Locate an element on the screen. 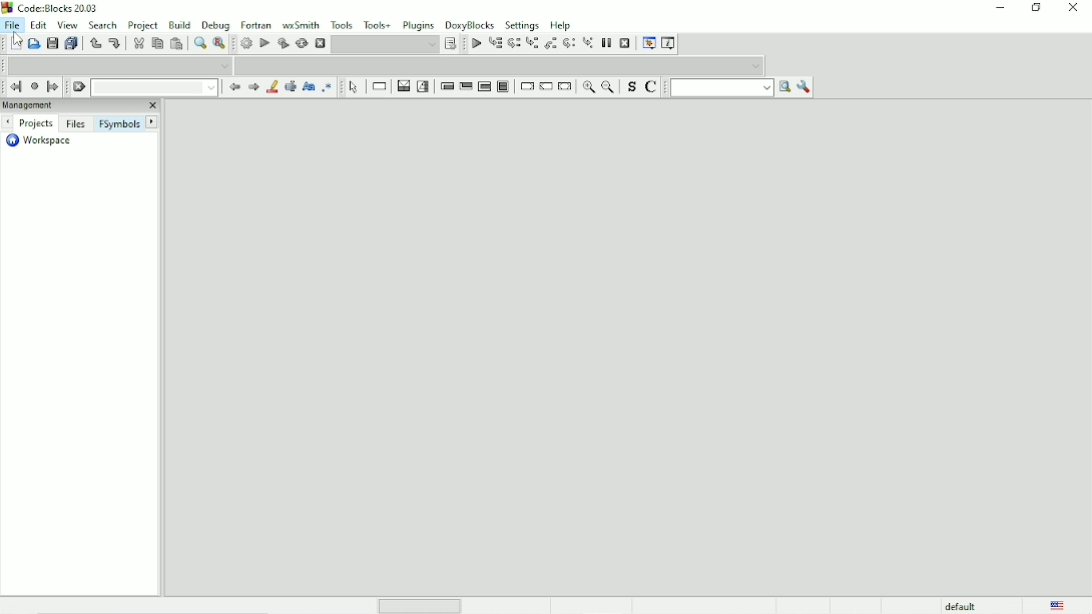 Image resolution: width=1092 pixels, height=614 pixels. Last jump is located at coordinates (34, 87).